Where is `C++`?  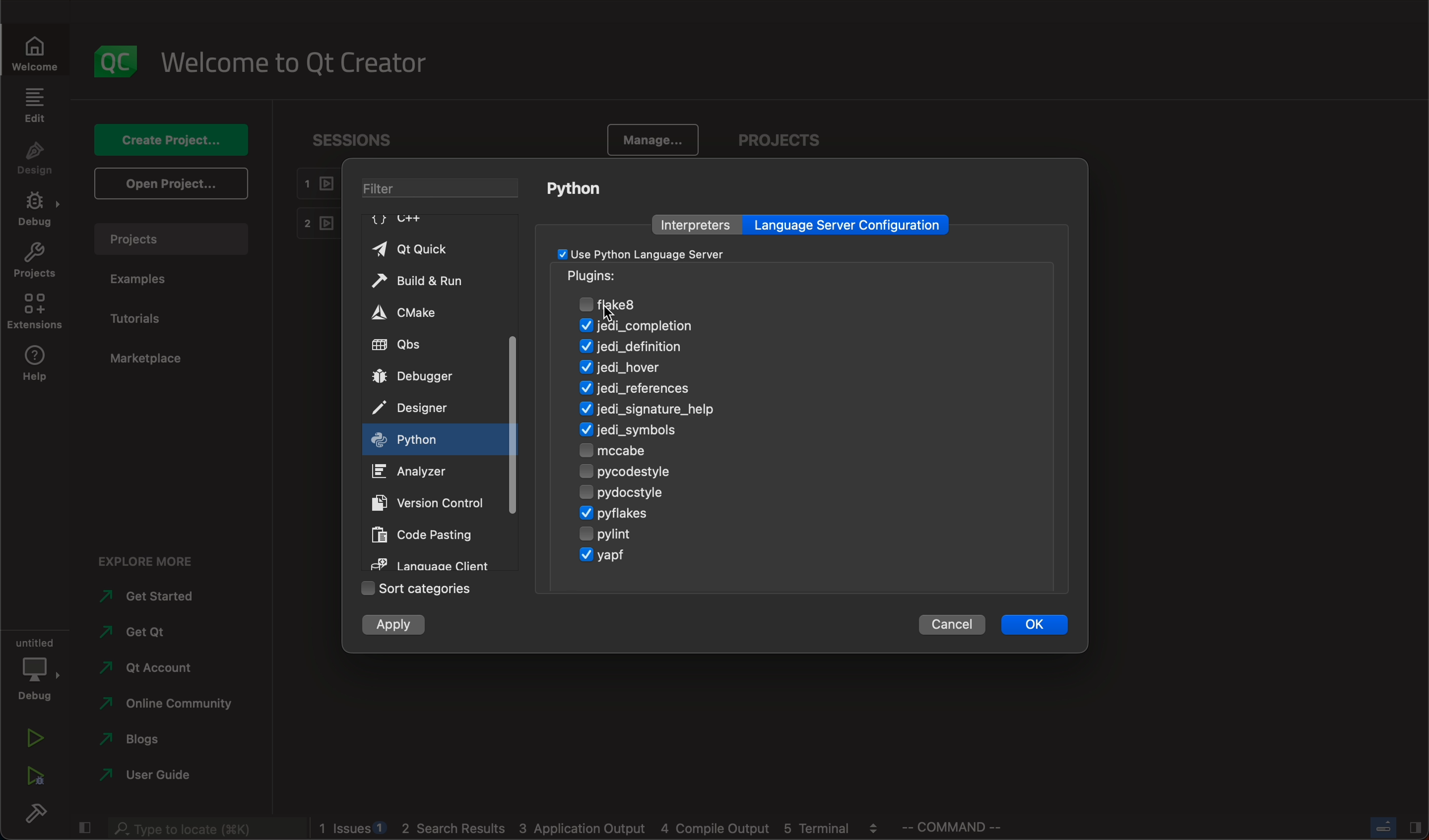 C++ is located at coordinates (398, 220).